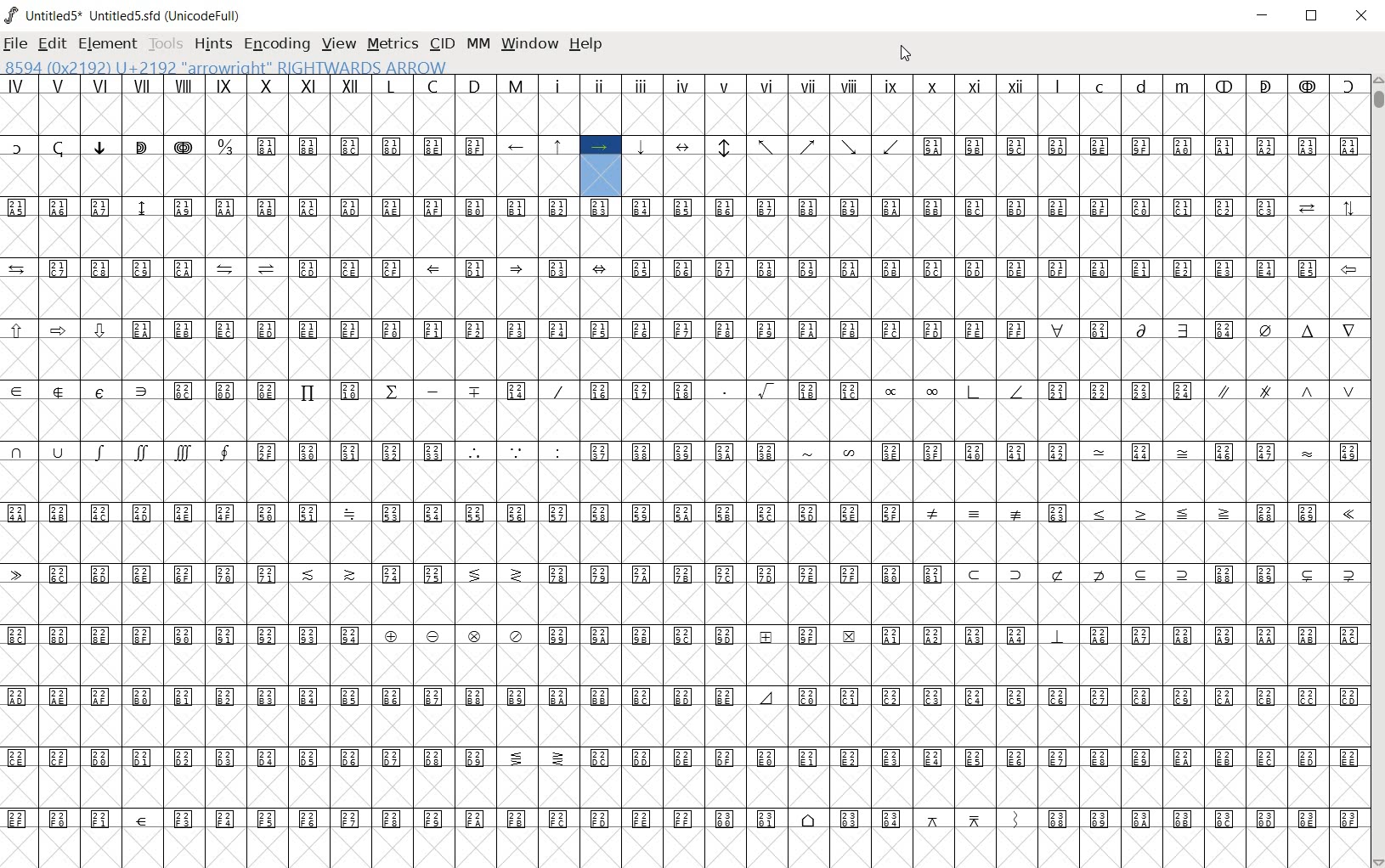 The height and width of the screenshot is (868, 1385). What do you see at coordinates (477, 45) in the screenshot?
I see `MM` at bounding box center [477, 45].